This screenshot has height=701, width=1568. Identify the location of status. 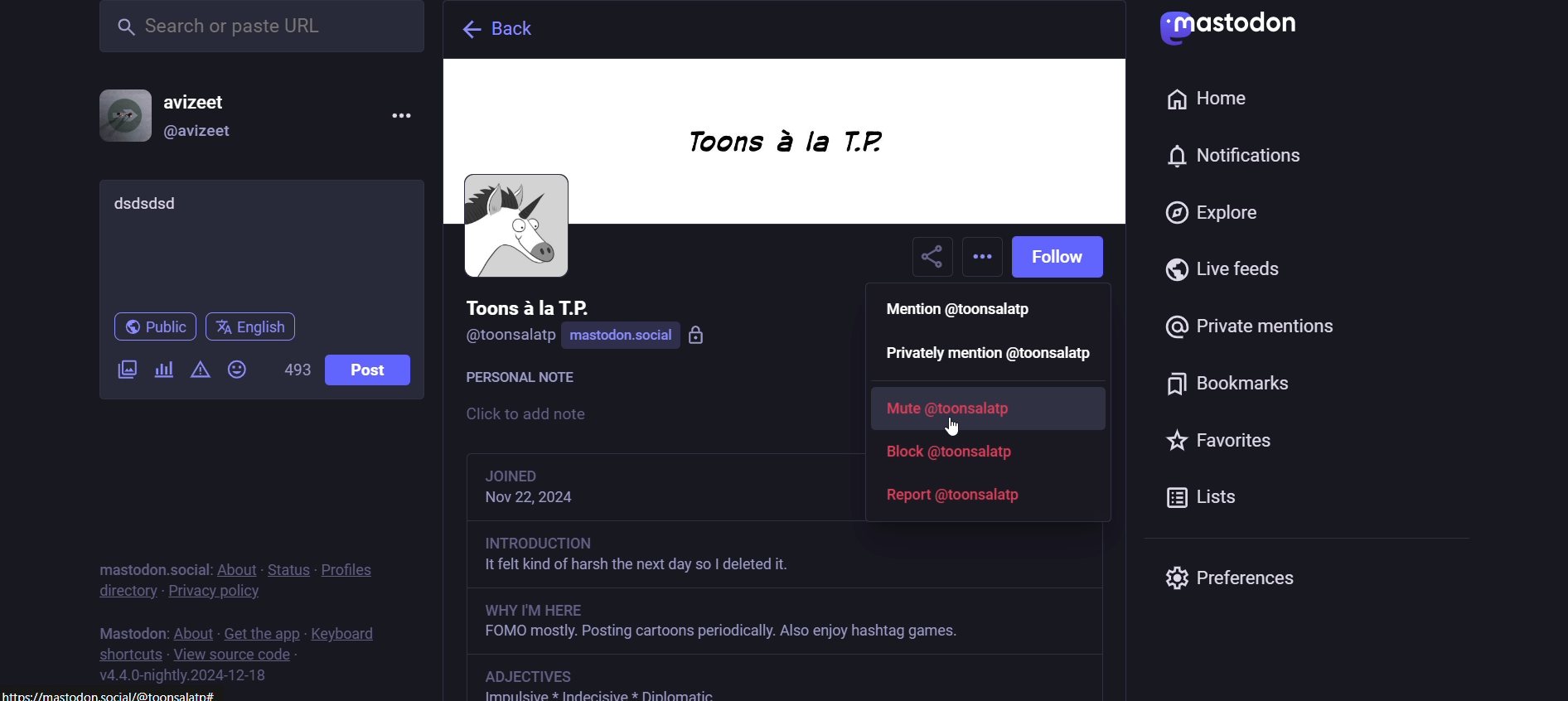
(288, 561).